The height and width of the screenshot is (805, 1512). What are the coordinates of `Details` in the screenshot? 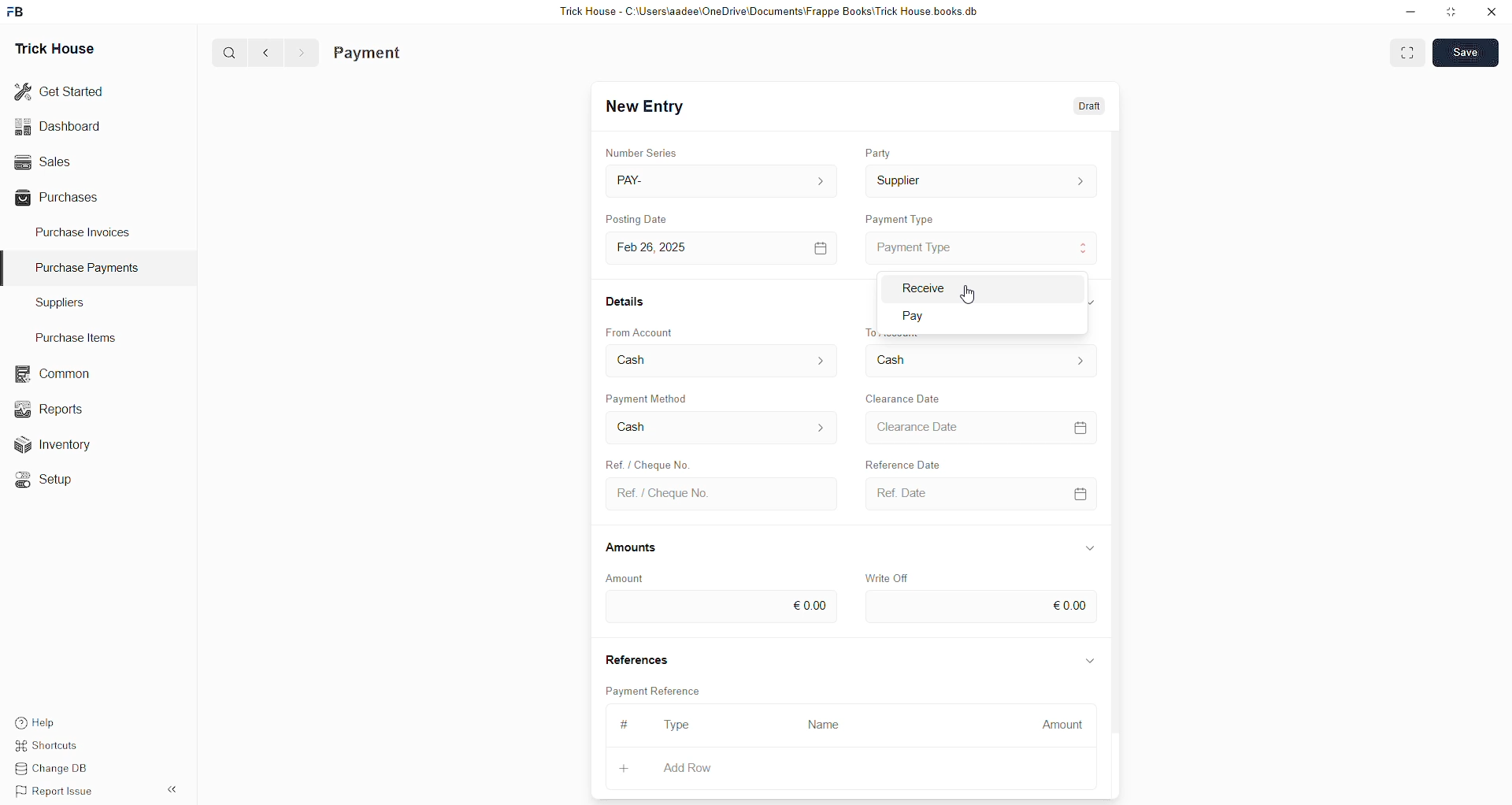 It's located at (625, 302).